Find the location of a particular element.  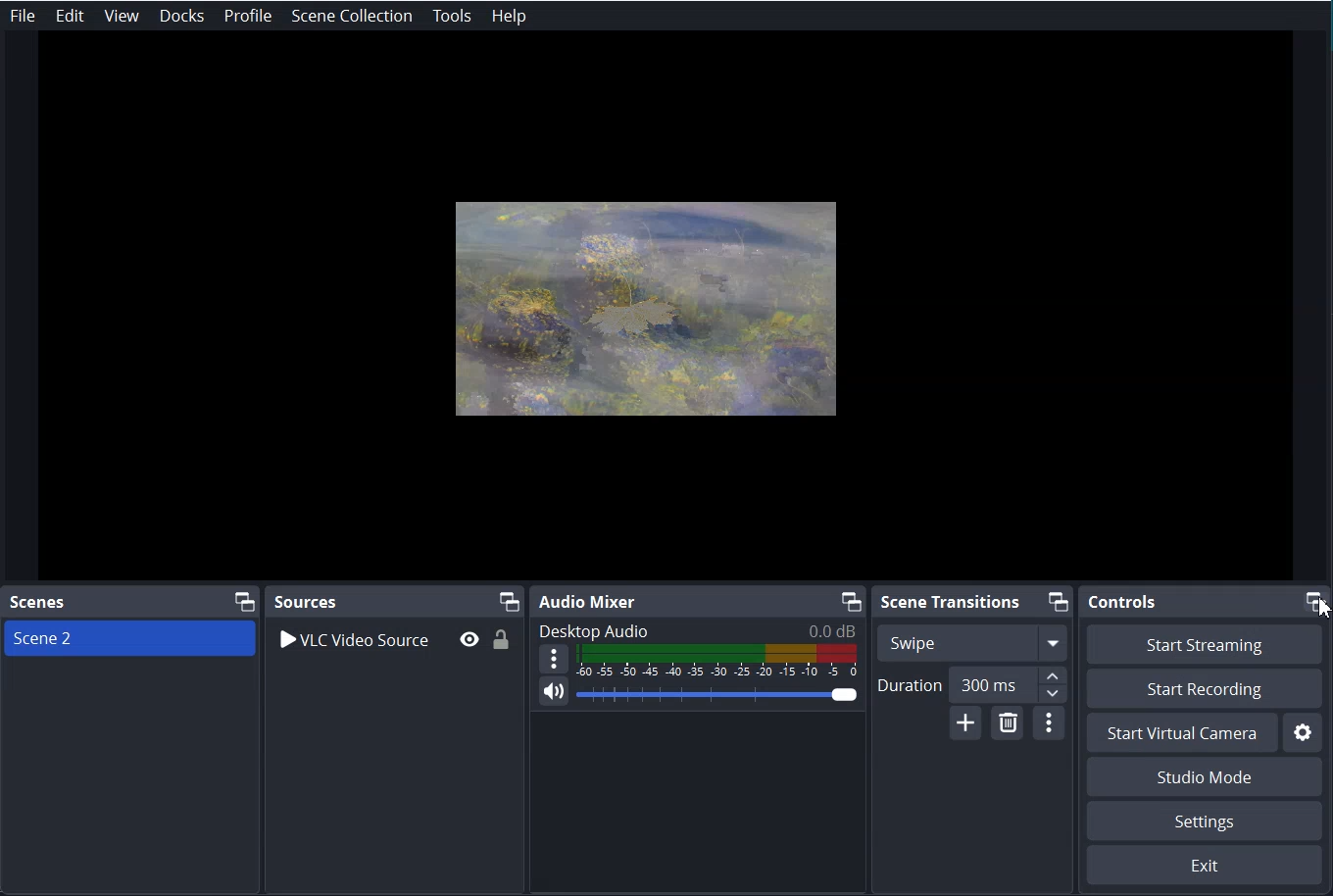

Swipe is located at coordinates (972, 642).